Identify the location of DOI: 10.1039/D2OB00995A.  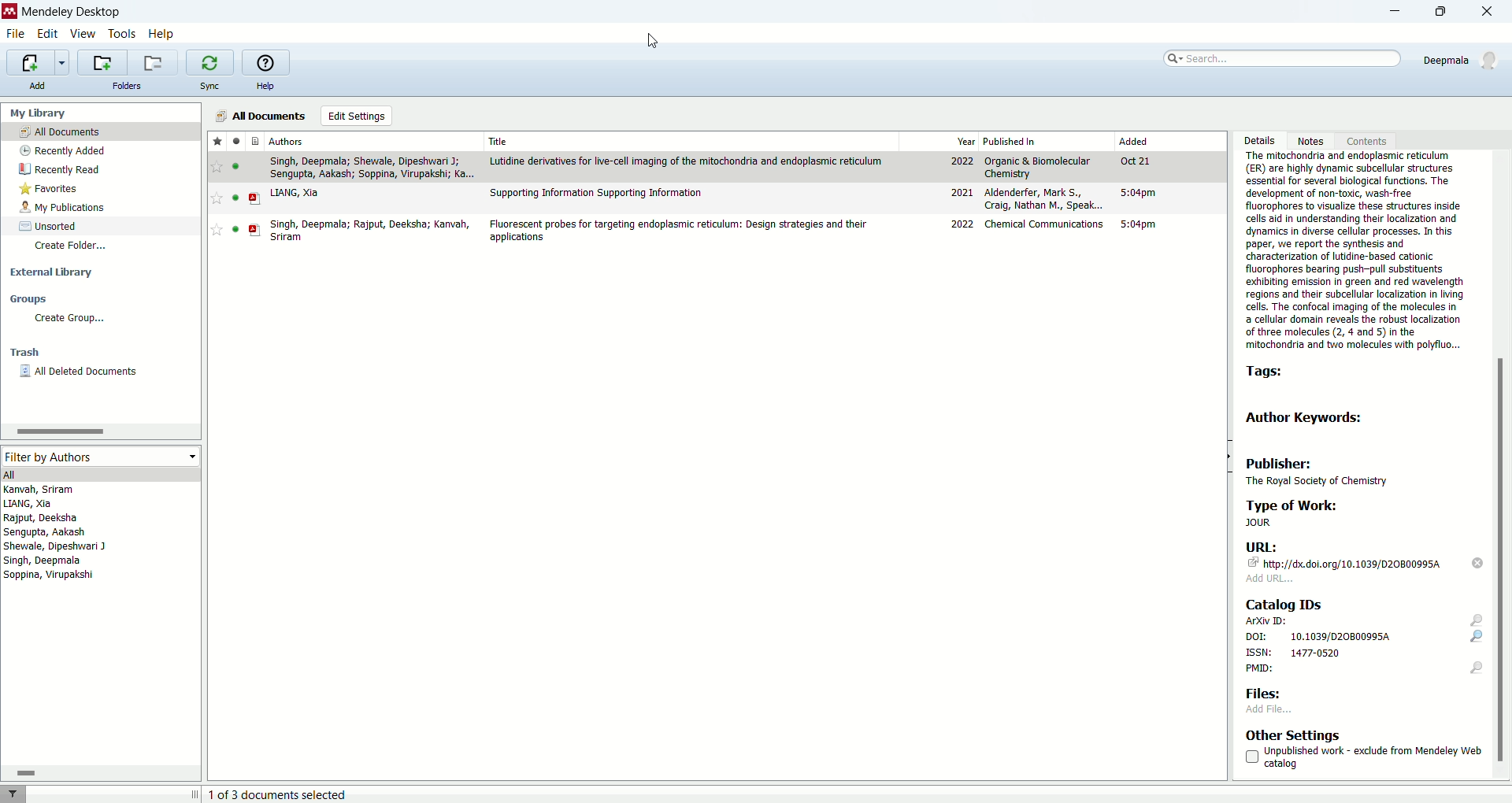
(1362, 637).